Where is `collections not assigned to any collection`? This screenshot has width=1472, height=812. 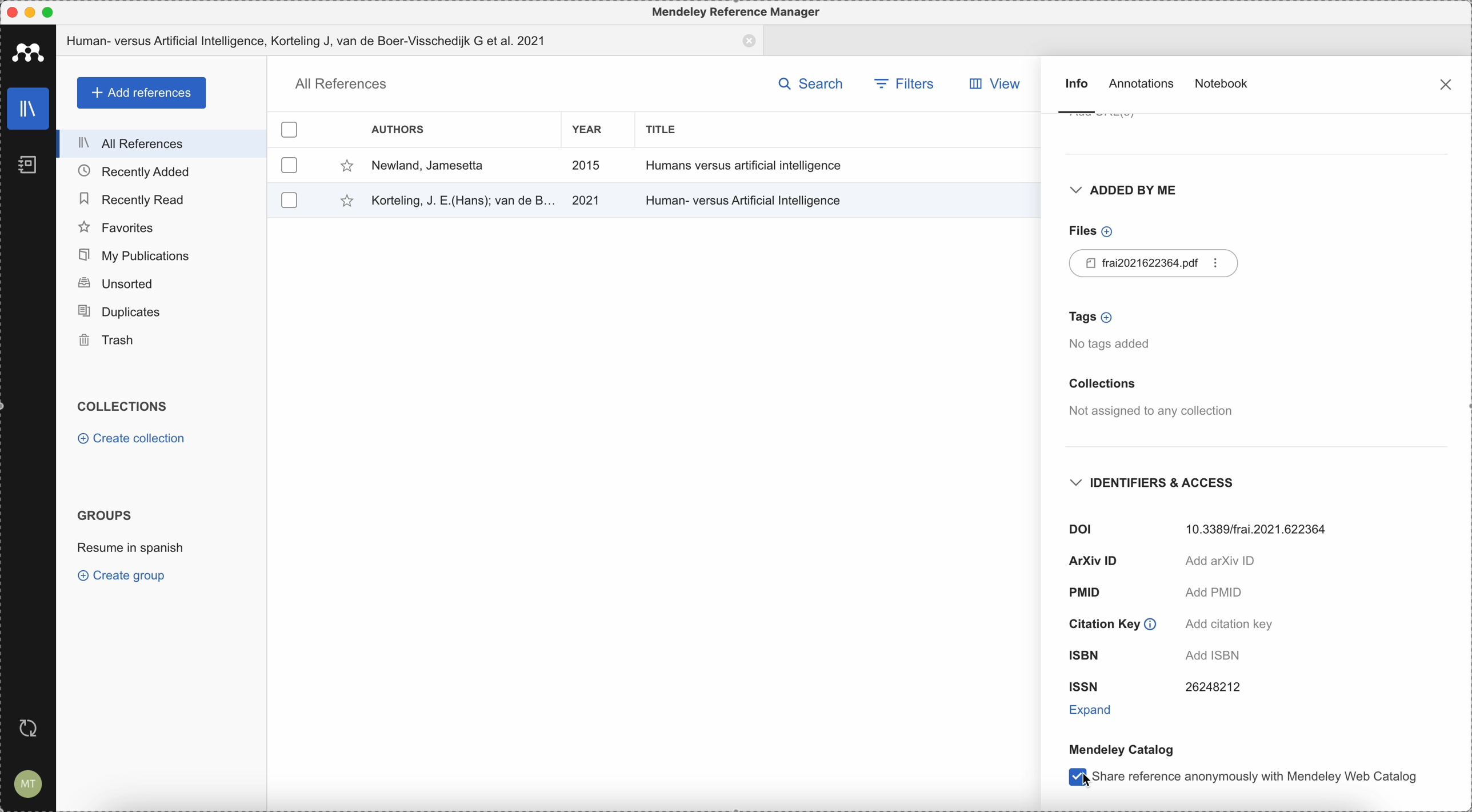
collections not assigned to any collection is located at coordinates (1149, 399).